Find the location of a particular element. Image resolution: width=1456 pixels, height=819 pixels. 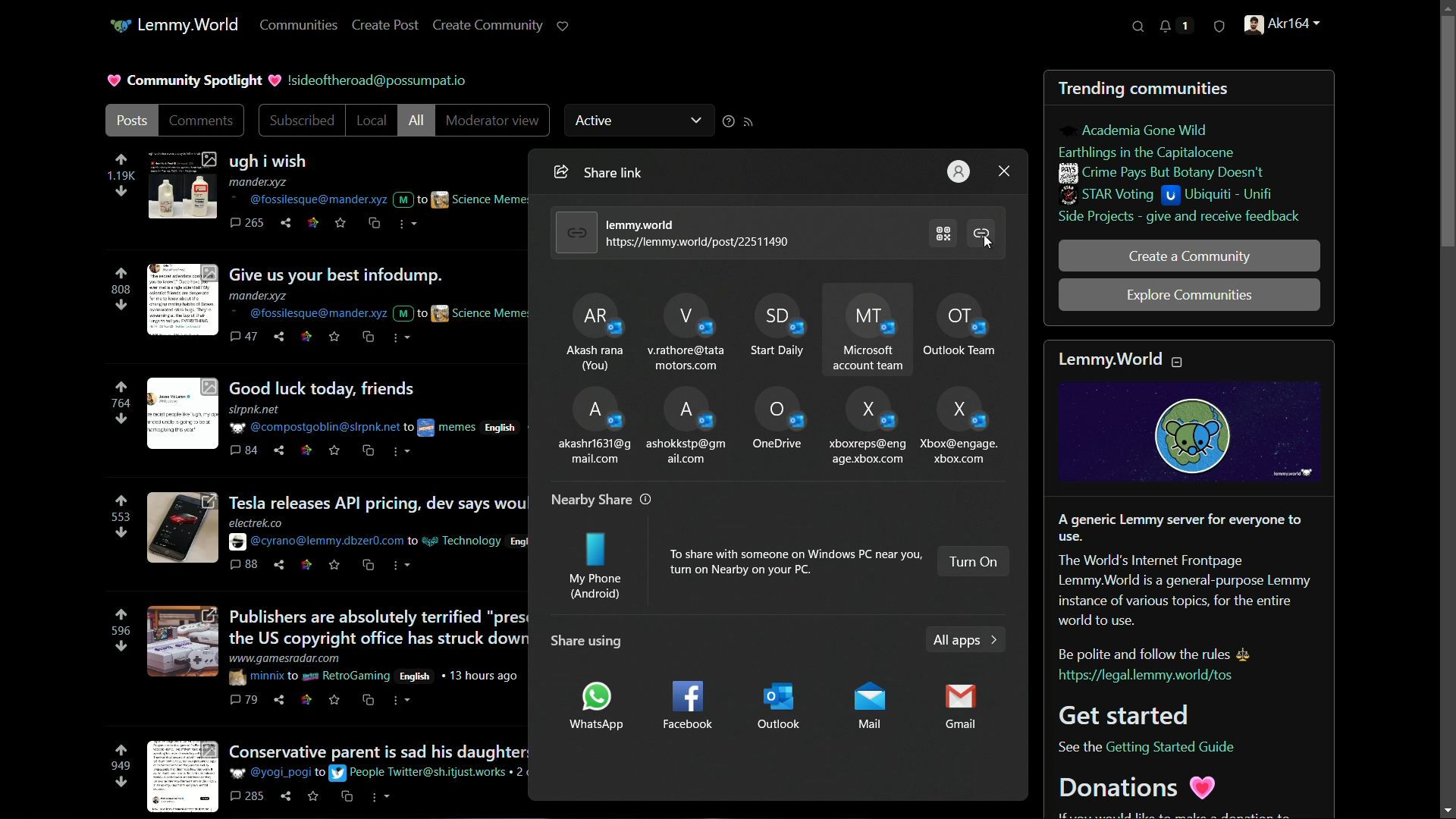

Get started is located at coordinates (1130, 714).